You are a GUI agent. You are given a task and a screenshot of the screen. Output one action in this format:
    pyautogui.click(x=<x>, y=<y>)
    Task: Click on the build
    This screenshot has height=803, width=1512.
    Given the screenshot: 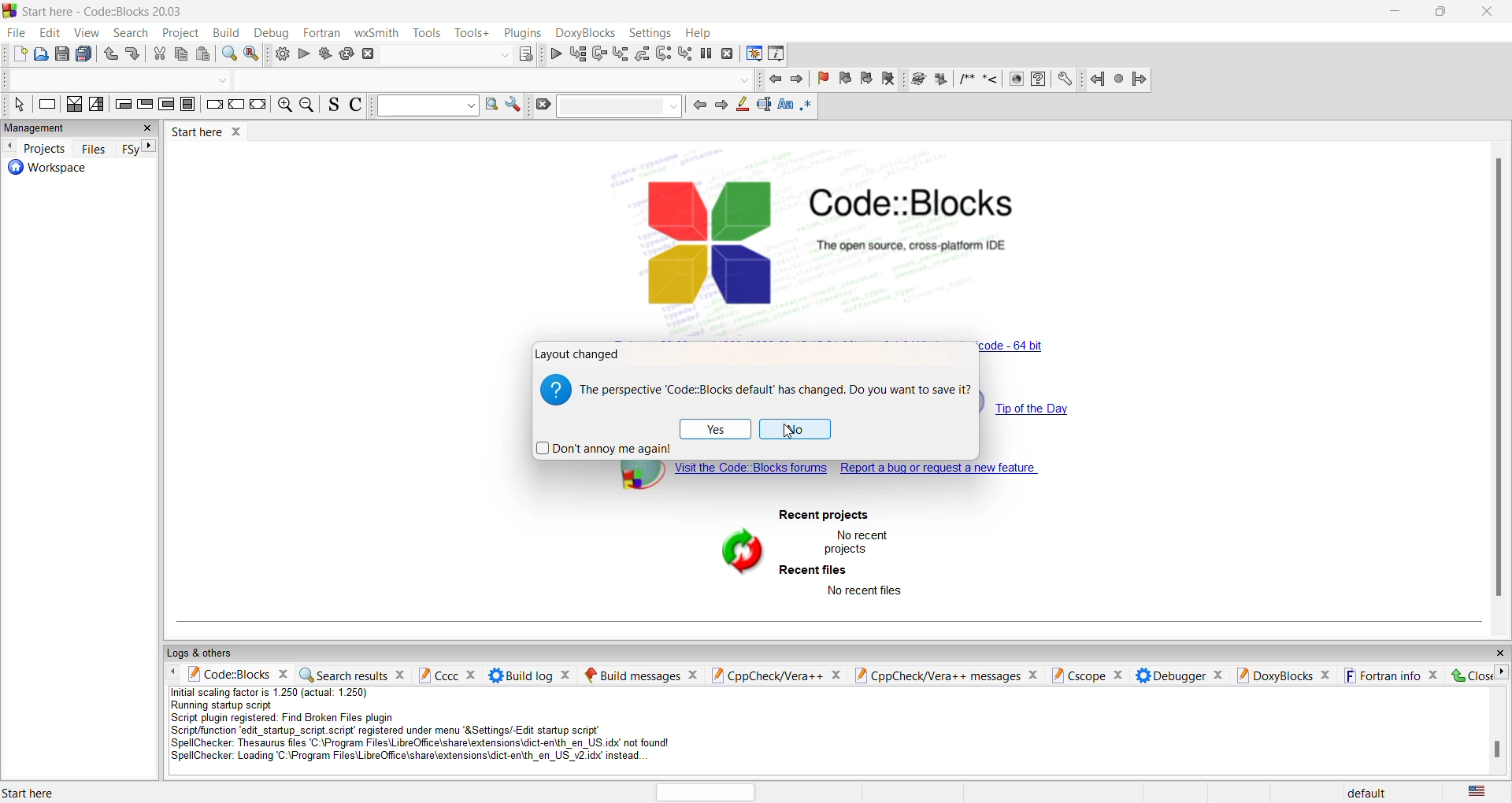 What is the action you would take?
    pyautogui.click(x=226, y=33)
    